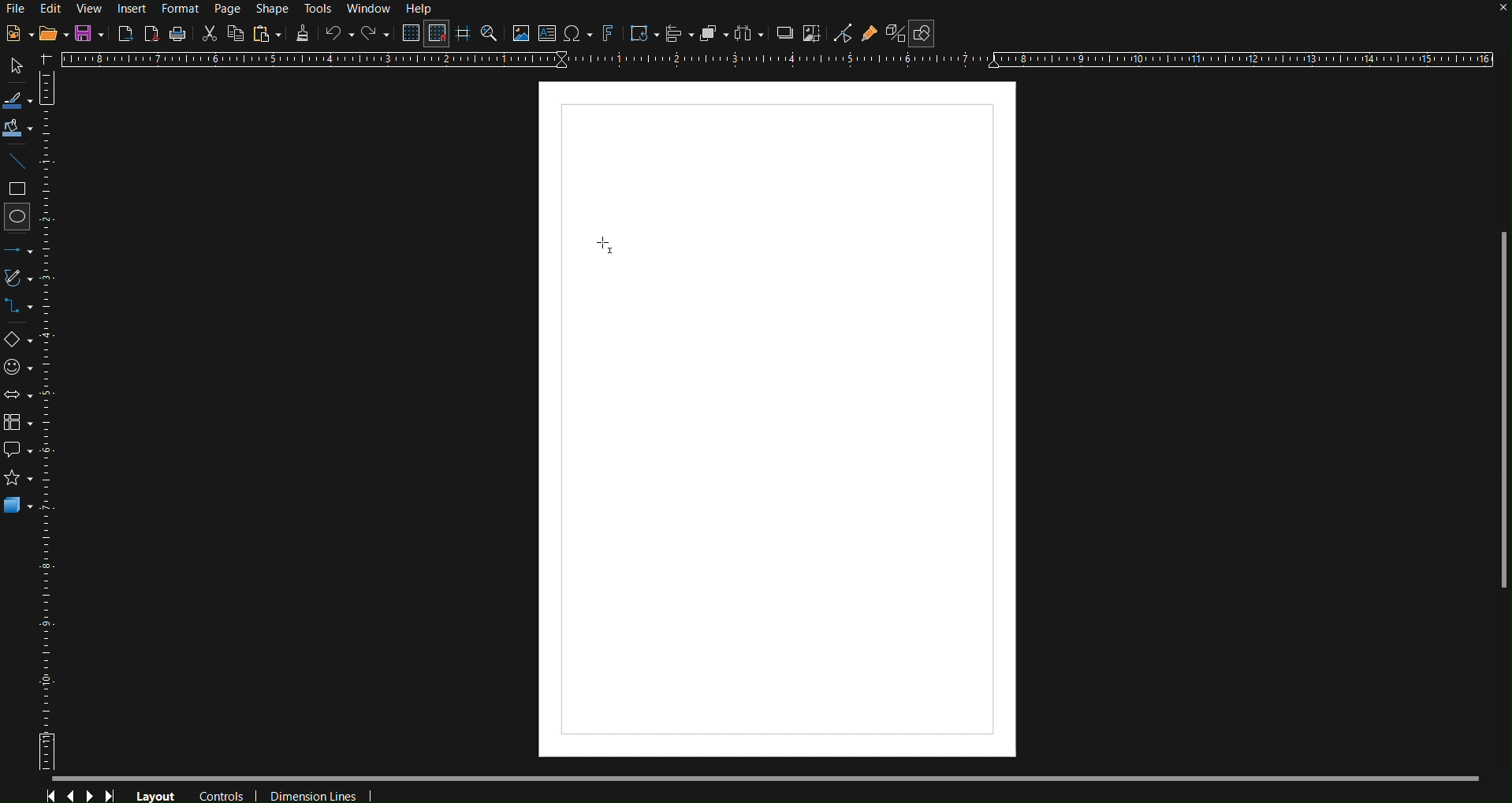 This screenshot has height=803, width=1512. Describe the element at coordinates (546, 35) in the screenshot. I see `Insert Texbox` at that location.